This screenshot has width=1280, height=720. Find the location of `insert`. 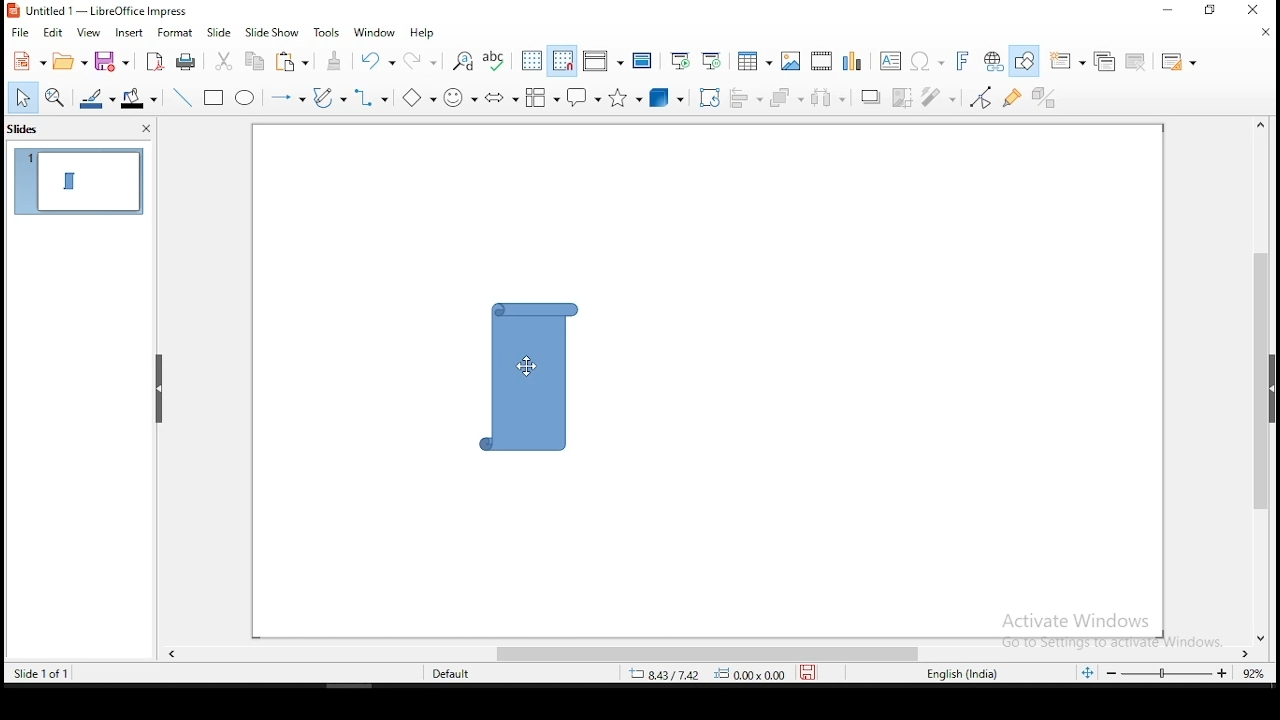

insert is located at coordinates (131, 33).